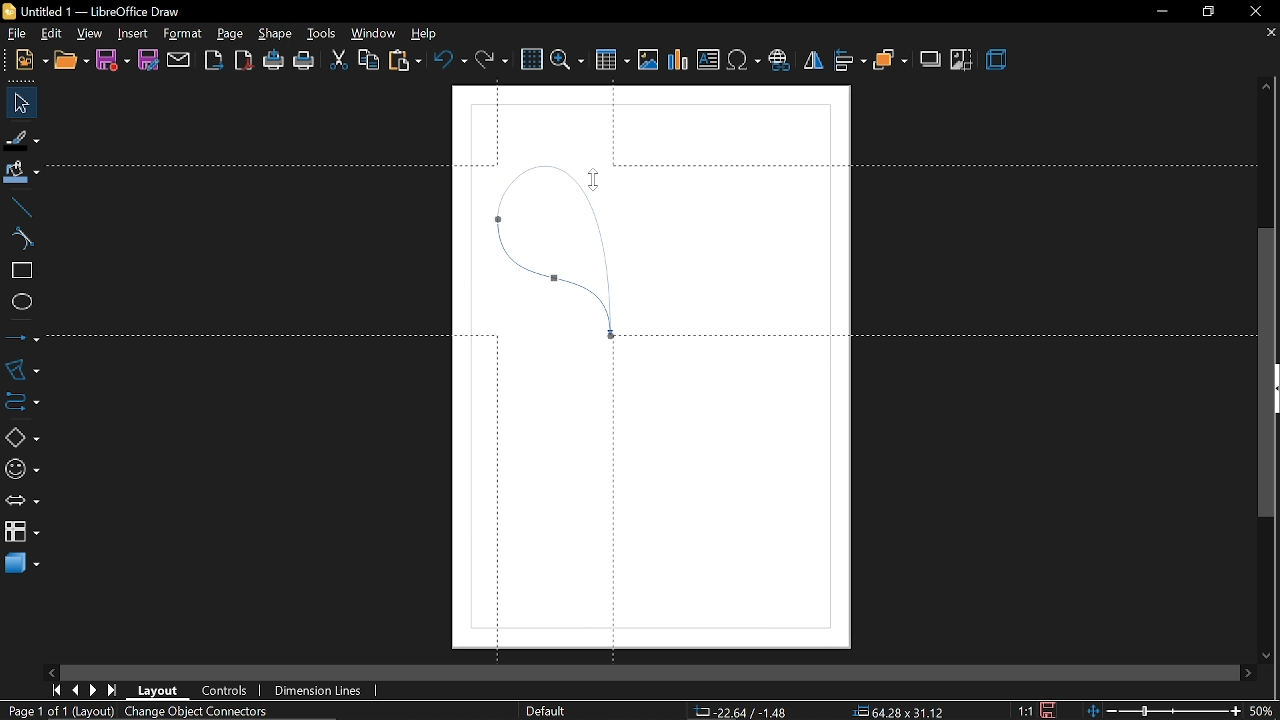 This screenshot has height=720, width=1280. Describe the element at coordinates (51, 671) in the screenshot. I see `move left` at that location.